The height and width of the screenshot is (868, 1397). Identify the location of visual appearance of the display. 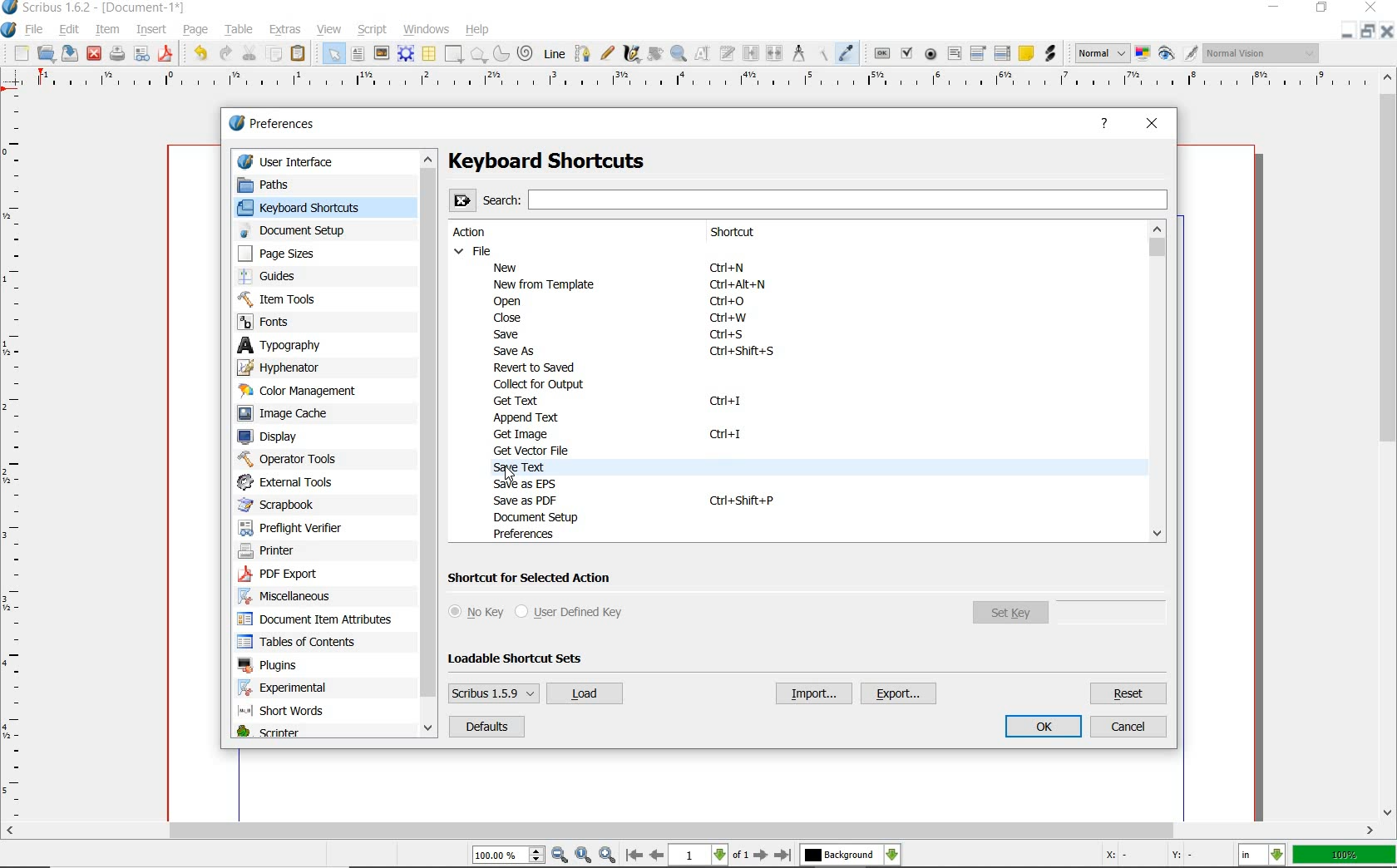
(1262, 52).